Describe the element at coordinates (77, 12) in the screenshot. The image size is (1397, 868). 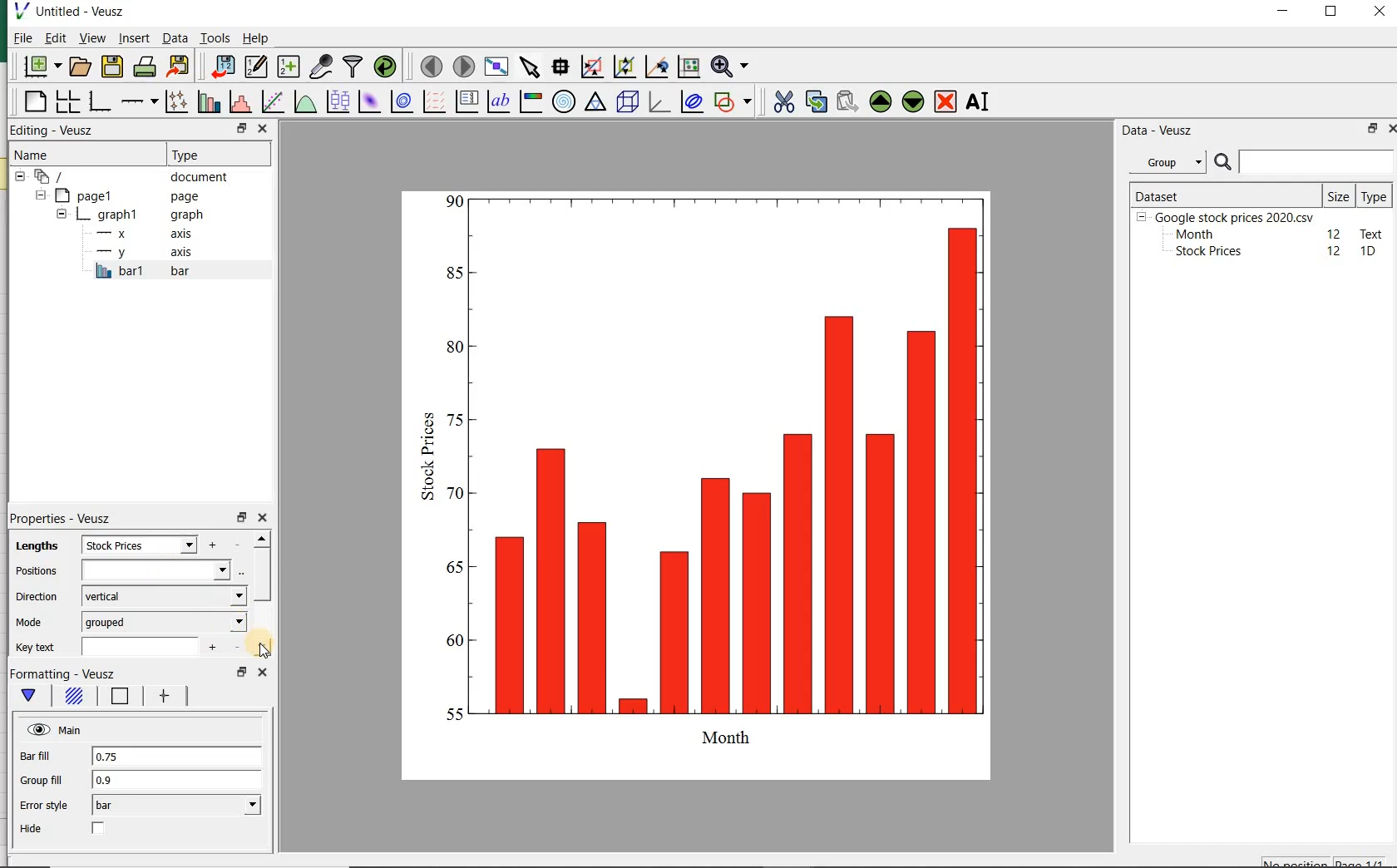
I see `Untitled-Veusz` at that location.